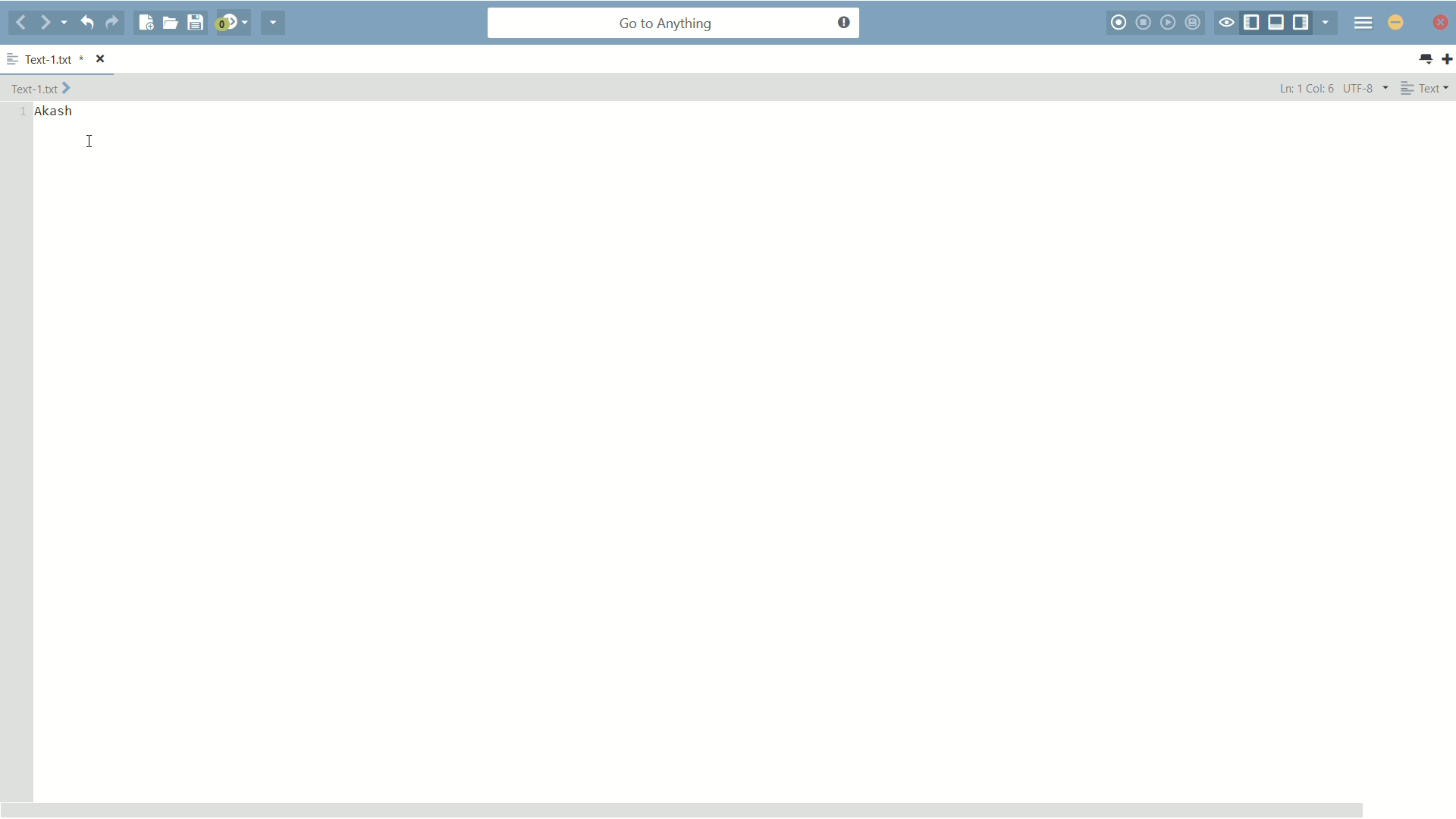 This screenshot has height=819, width=1456. What do you see at coordinates (1301, 23) in the screenshot?
I see `show/hide right panel` at bounding box center [1301, 23].